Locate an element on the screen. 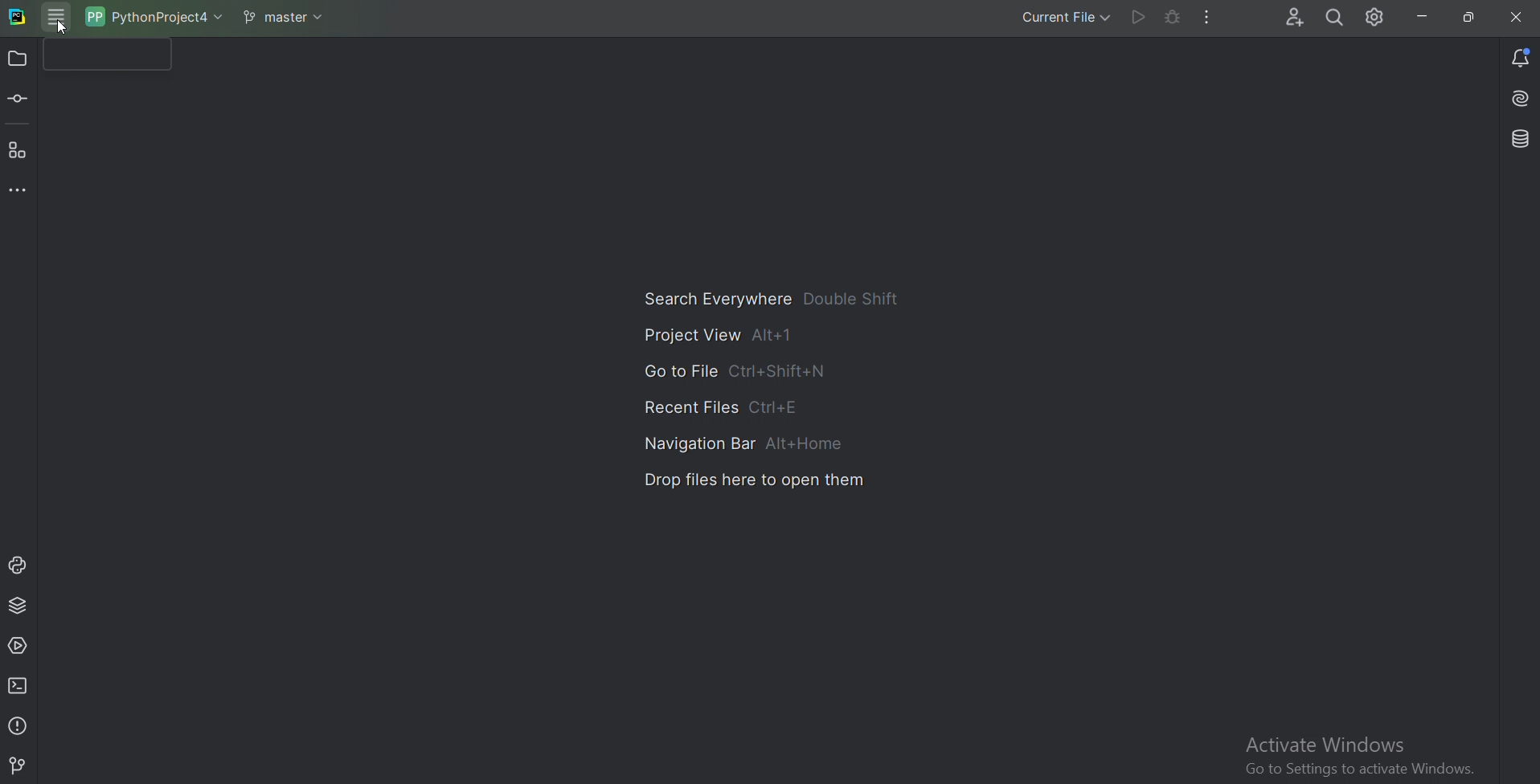 This screenshot has width=1540, height=784. Main menu is located at coordinates (59, 16).